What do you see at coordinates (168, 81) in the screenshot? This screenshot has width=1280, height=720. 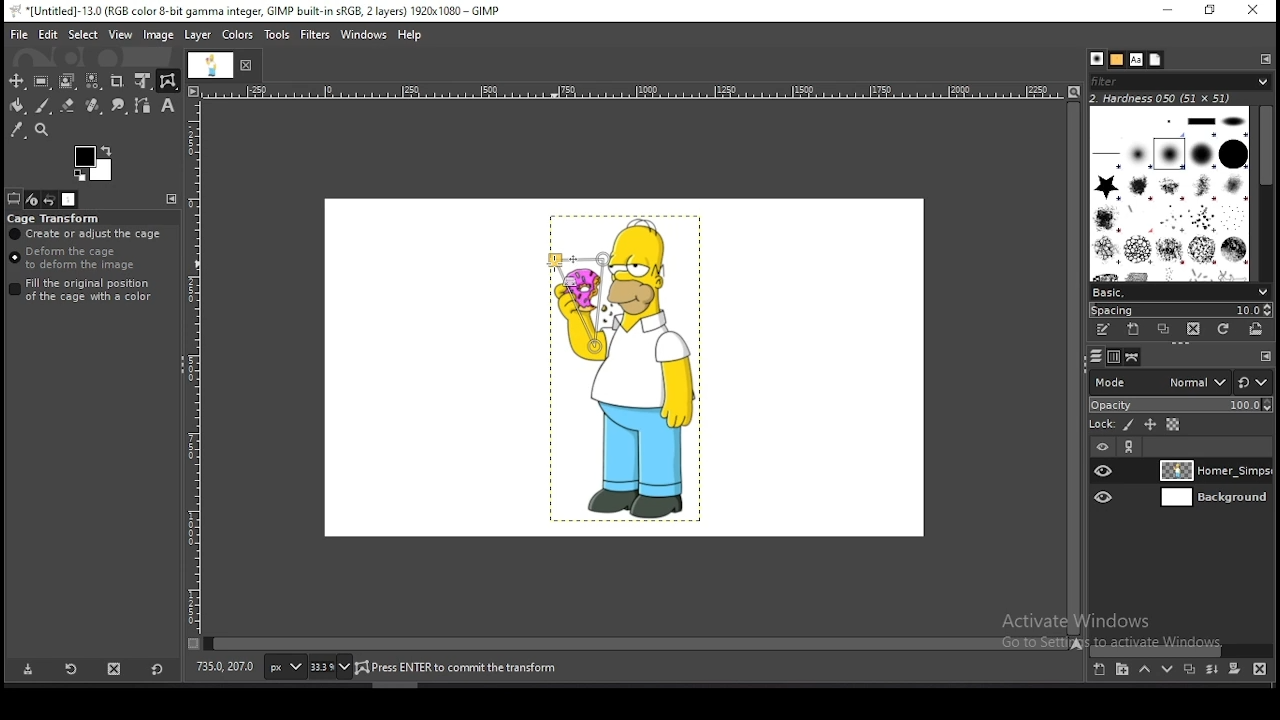 I see `cage transform` at bounding box center [168, 81].